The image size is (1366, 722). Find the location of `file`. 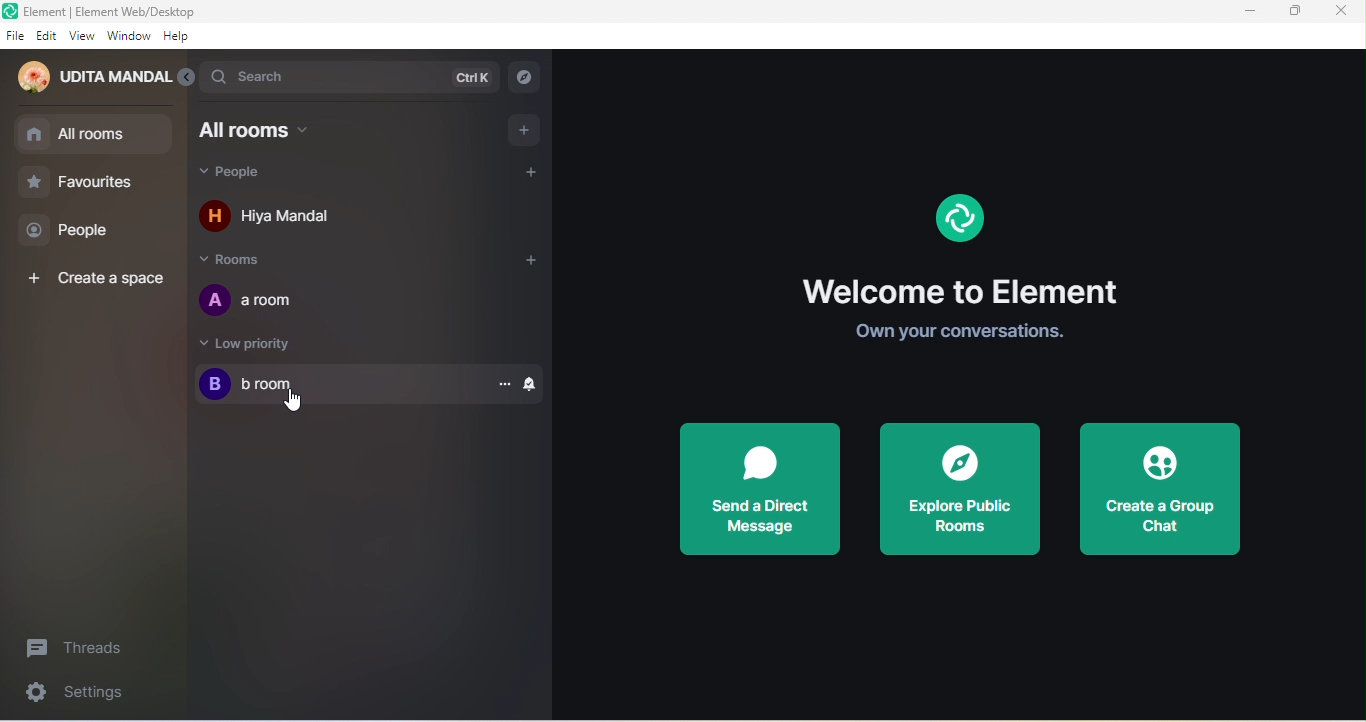

file is located at coordinates (15, 37).